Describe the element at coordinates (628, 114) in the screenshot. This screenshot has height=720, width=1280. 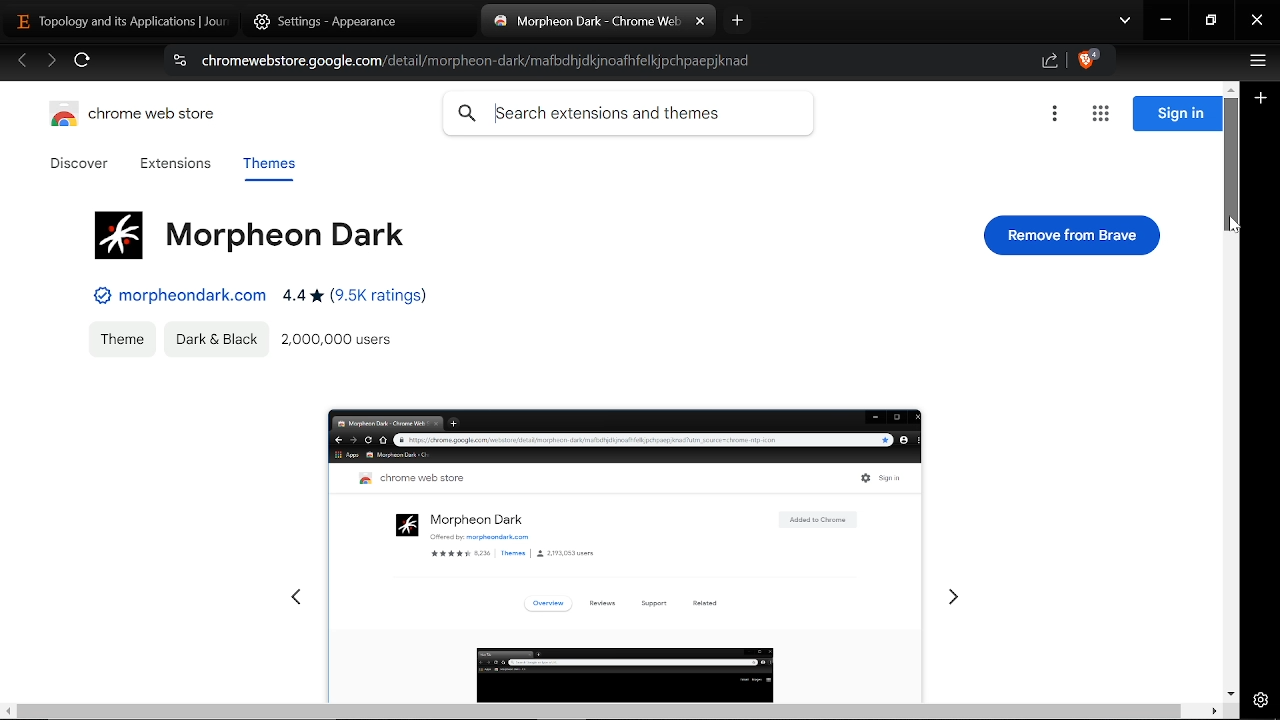
I see `Search extensions and themes` at that location.